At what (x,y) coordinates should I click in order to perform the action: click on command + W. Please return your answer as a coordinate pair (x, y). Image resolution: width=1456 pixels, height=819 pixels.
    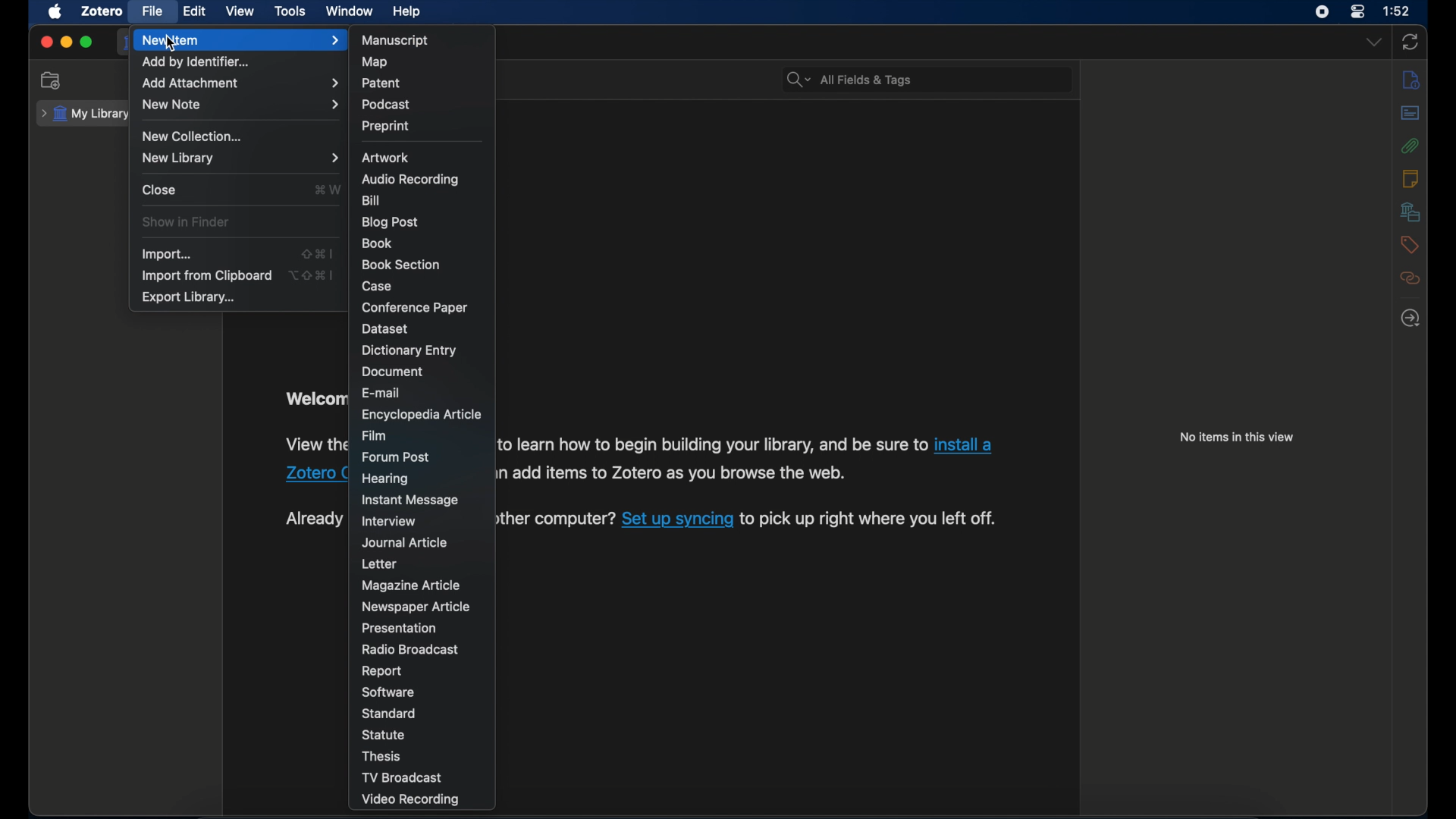
    Looking at the image, I should click on (328, 190).